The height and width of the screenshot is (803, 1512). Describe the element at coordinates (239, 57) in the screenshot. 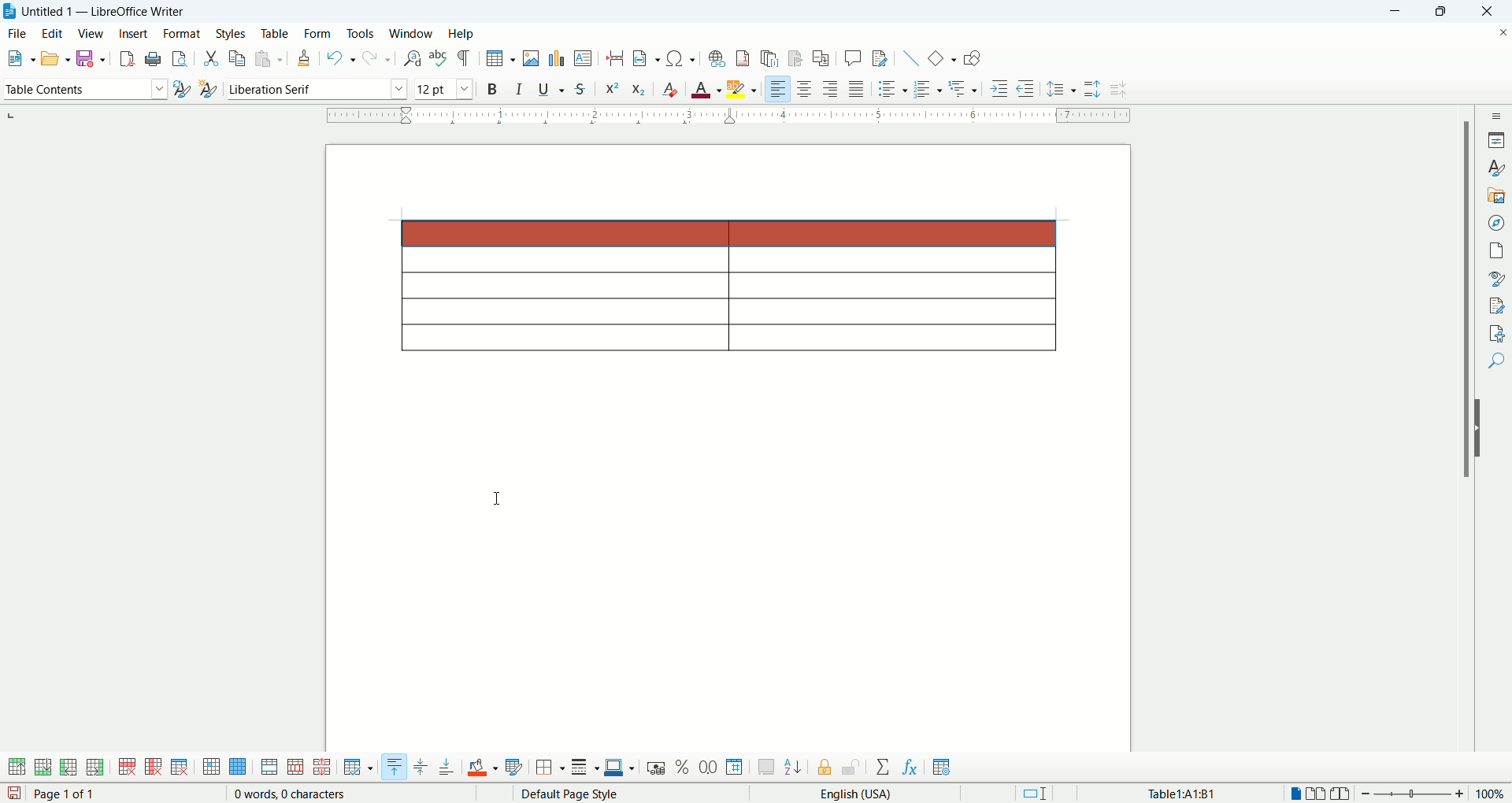

I see `copy` at that location.